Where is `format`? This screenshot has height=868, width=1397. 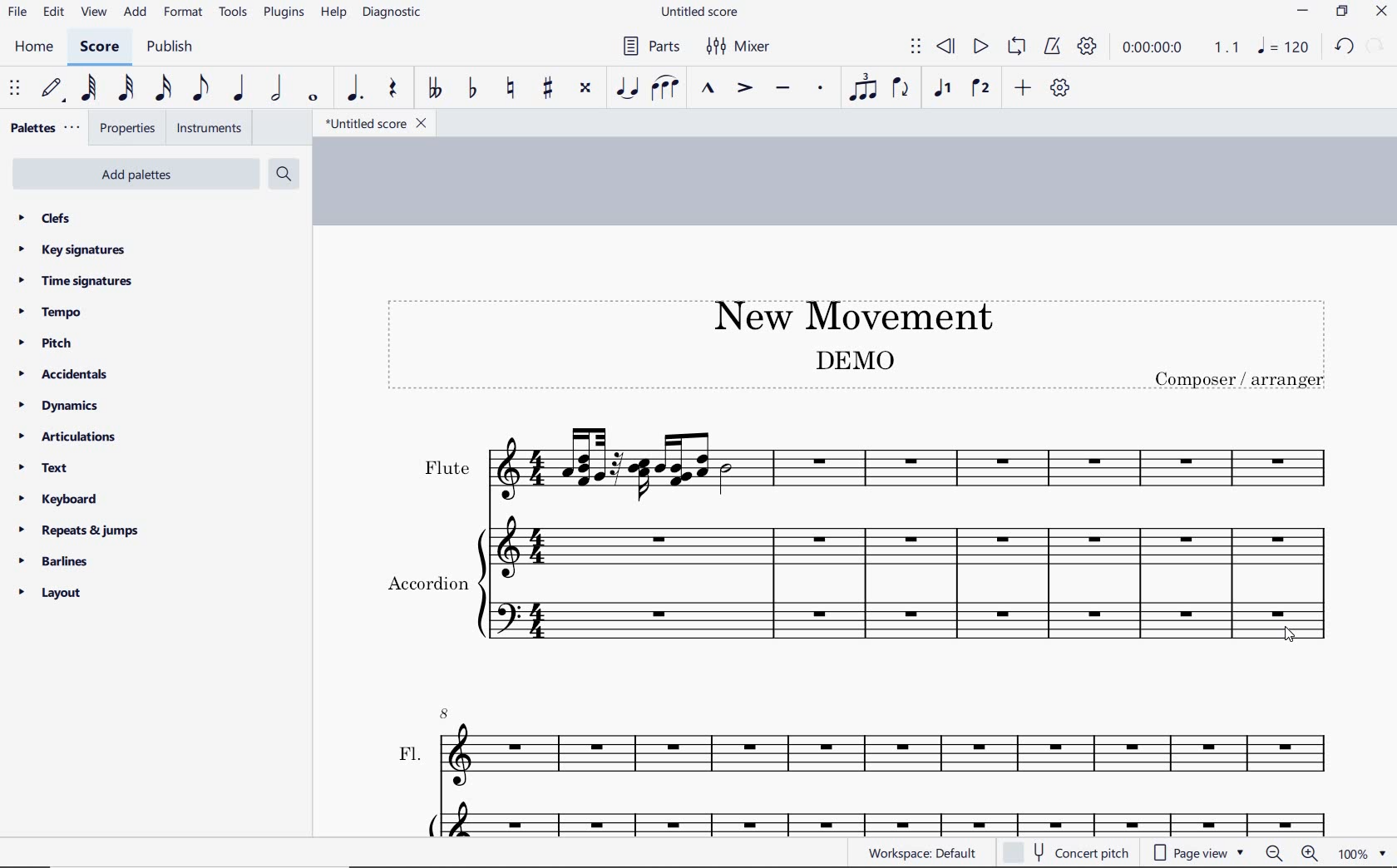
format is located at coordinates (185, 12).